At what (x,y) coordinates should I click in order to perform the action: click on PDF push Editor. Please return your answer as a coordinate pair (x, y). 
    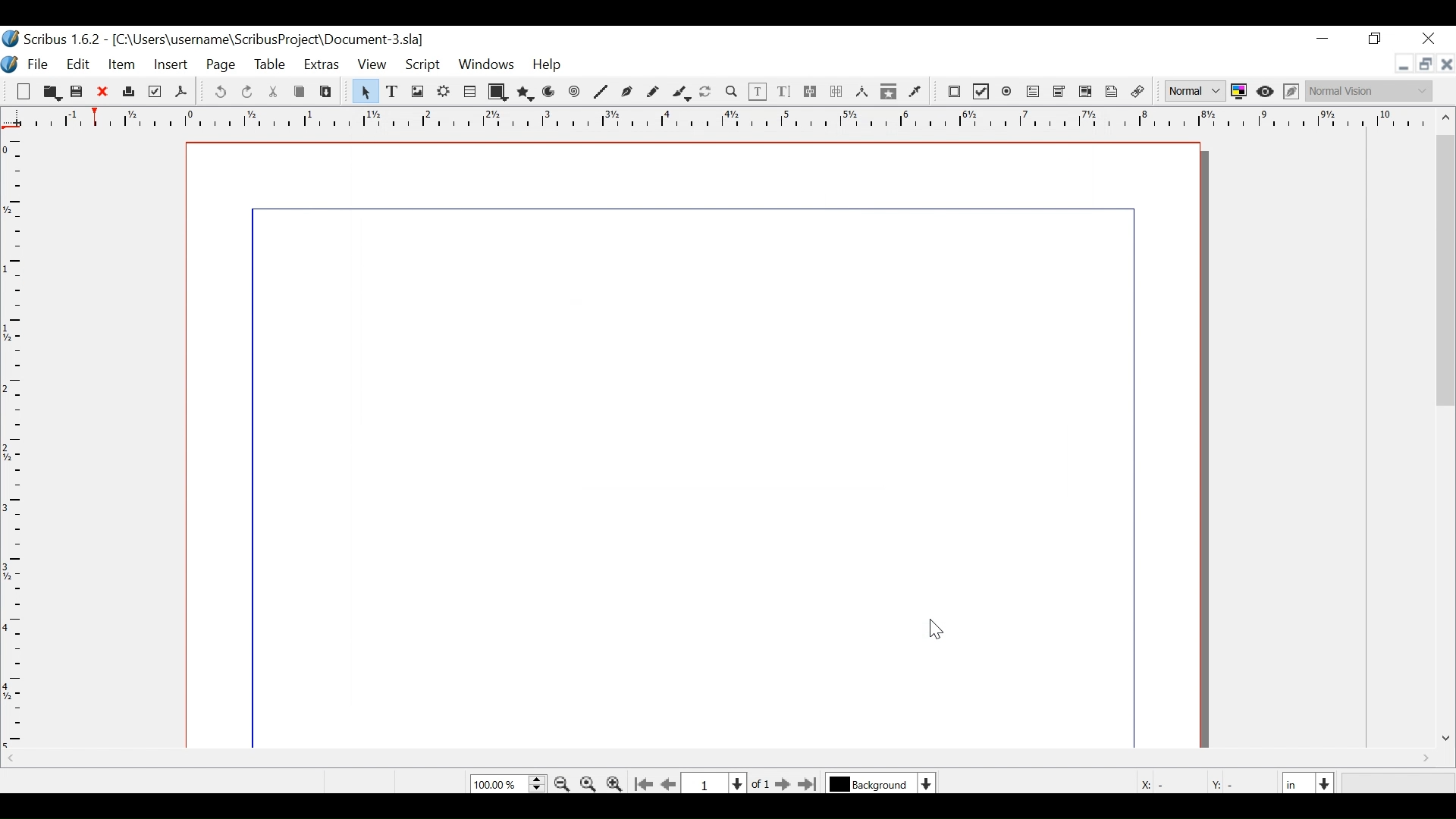
    Looking at the image, I should click on (954, 93).